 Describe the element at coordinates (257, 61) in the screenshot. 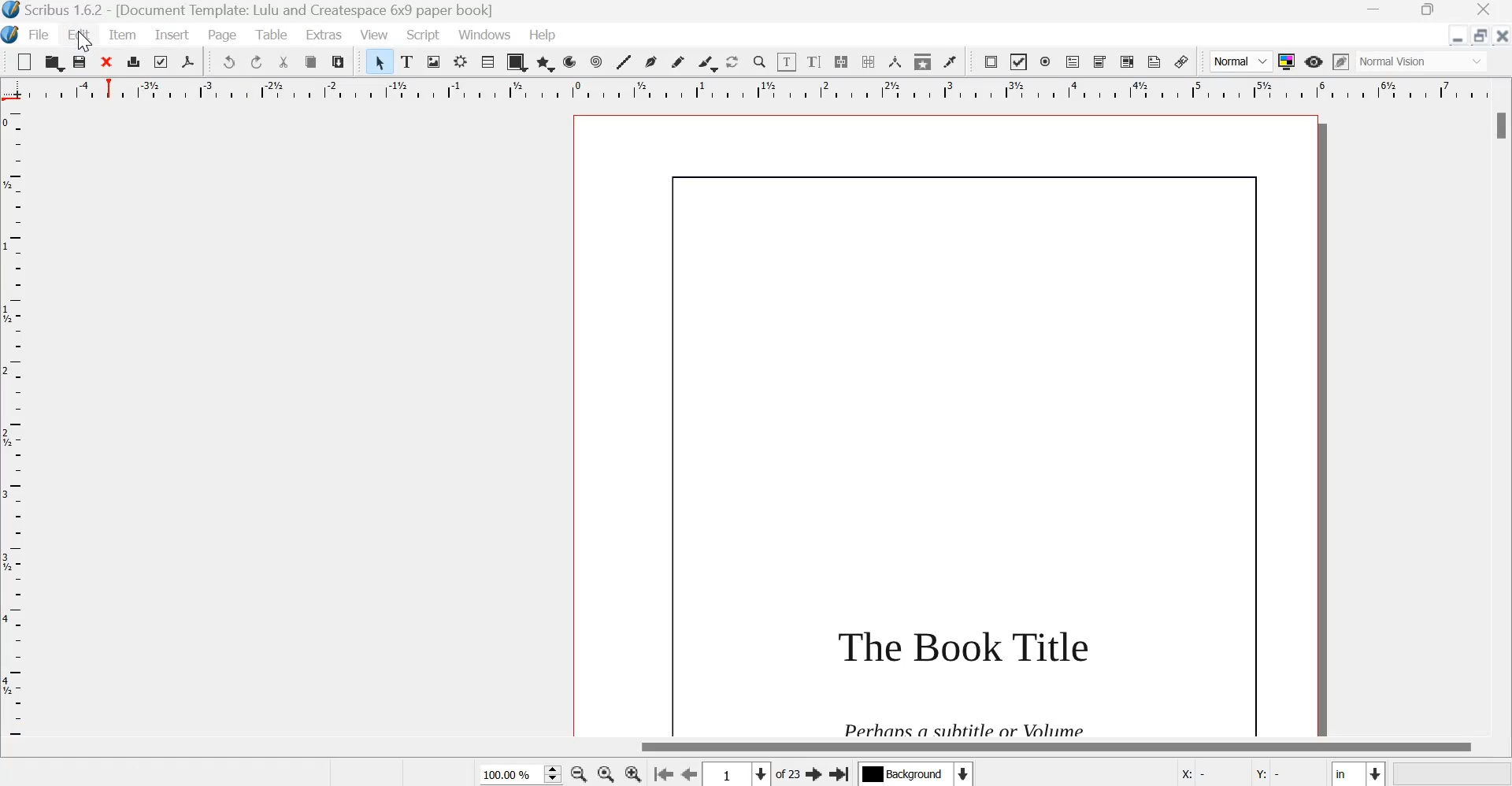

I see `redo` at that location.